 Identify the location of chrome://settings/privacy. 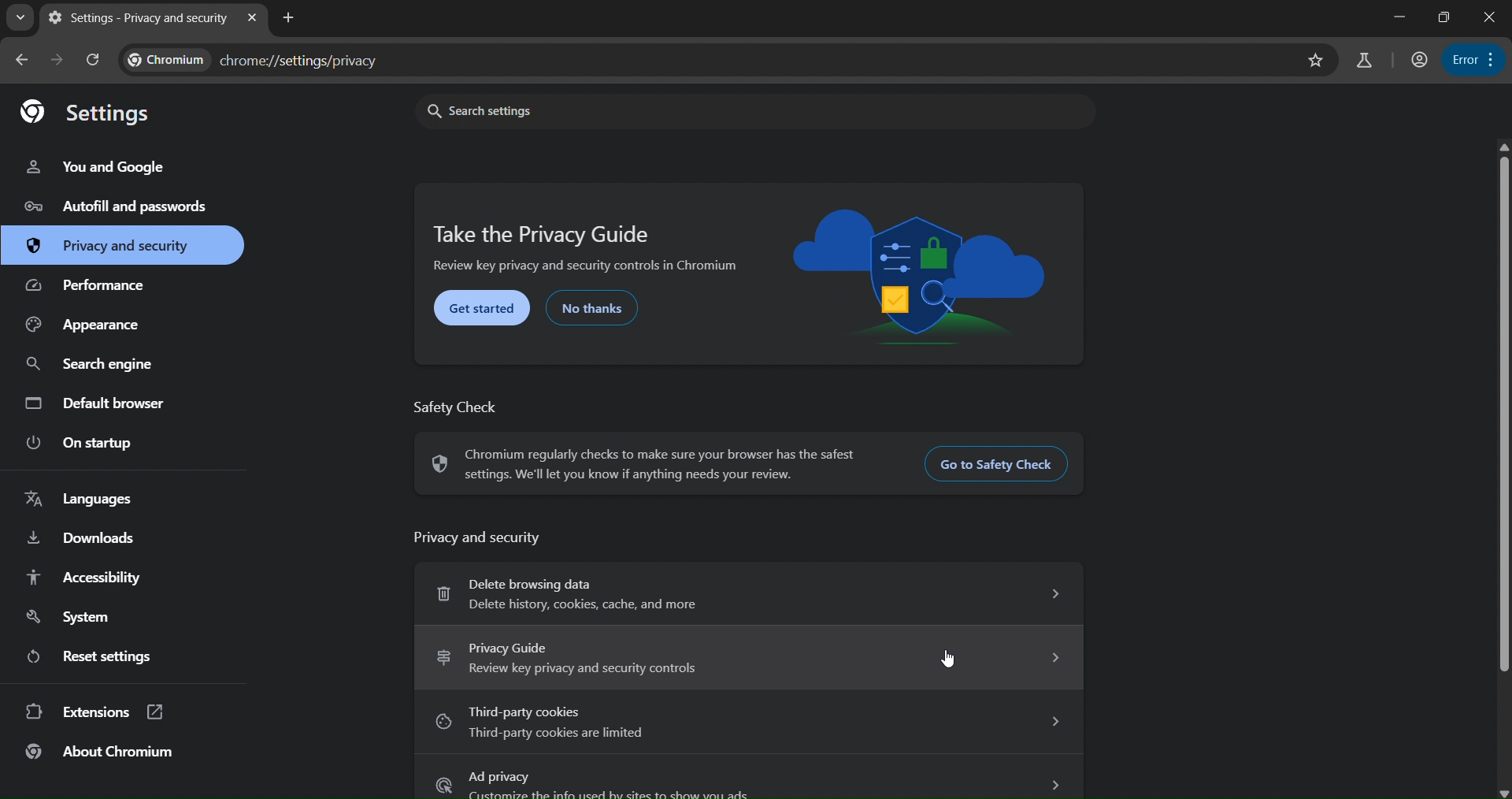
(296, 59).